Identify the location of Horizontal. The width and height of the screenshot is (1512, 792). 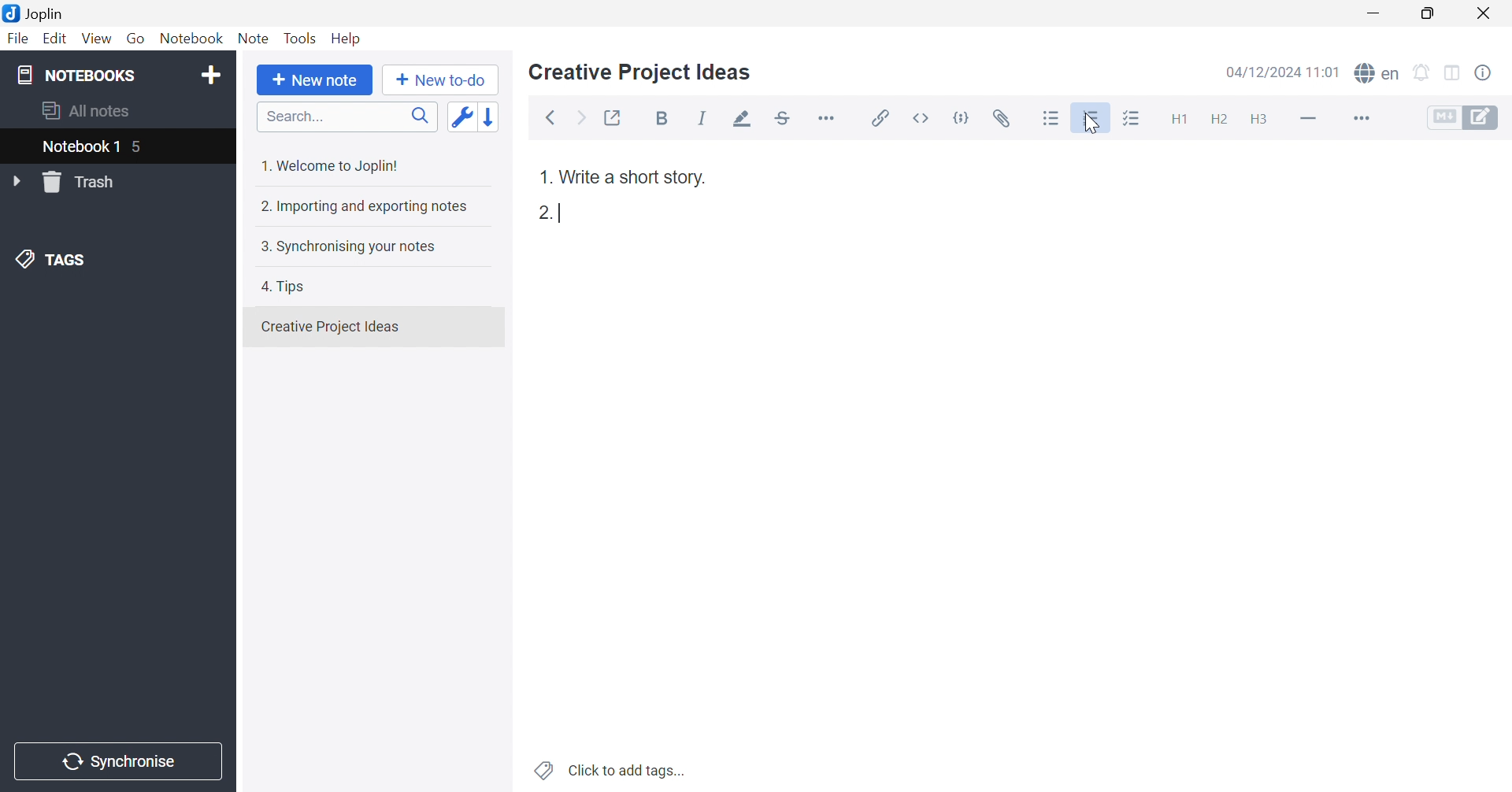
(831, 119).